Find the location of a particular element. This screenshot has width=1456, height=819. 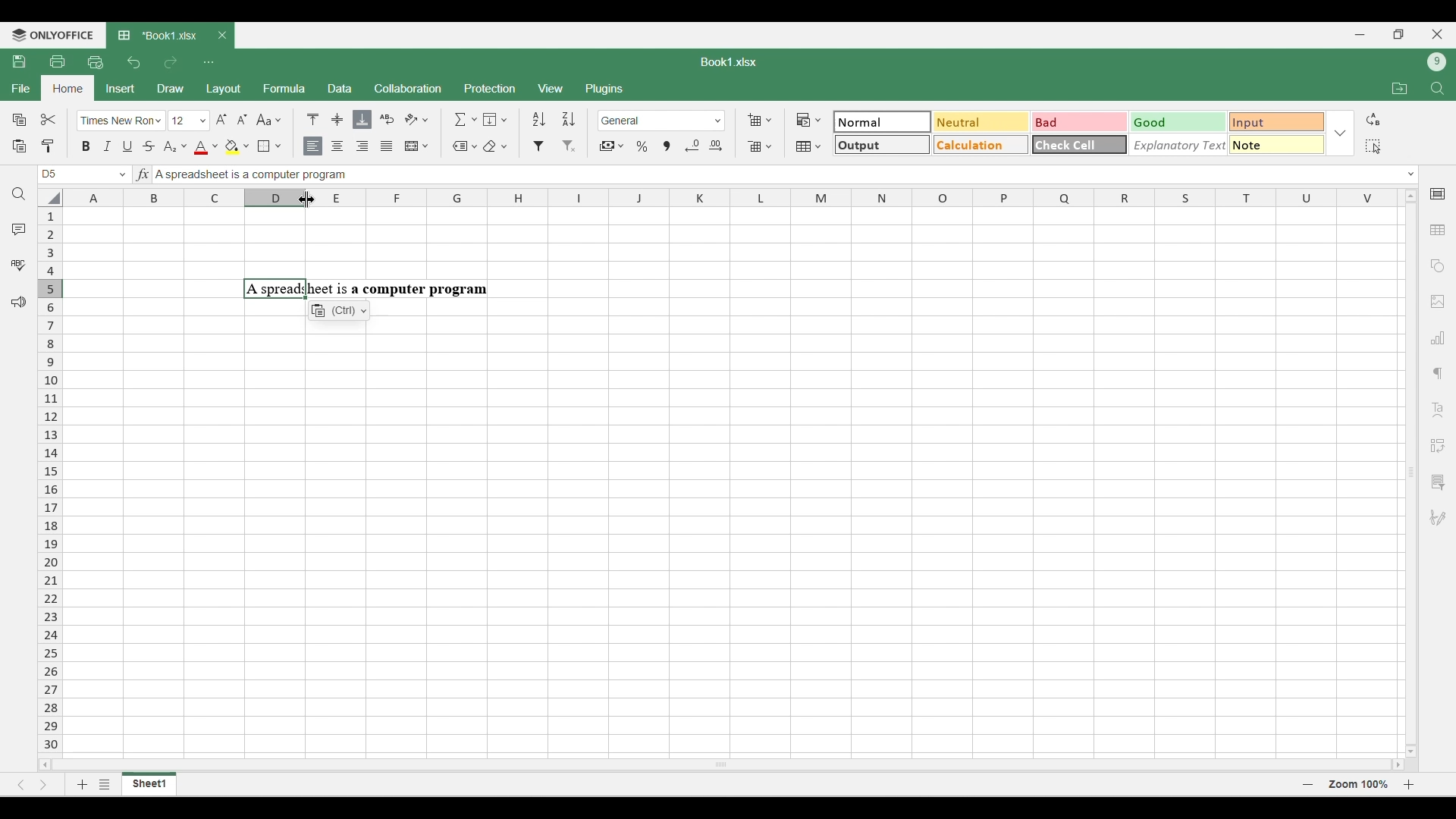

Insert chart is located at coordinates (1439, 337).